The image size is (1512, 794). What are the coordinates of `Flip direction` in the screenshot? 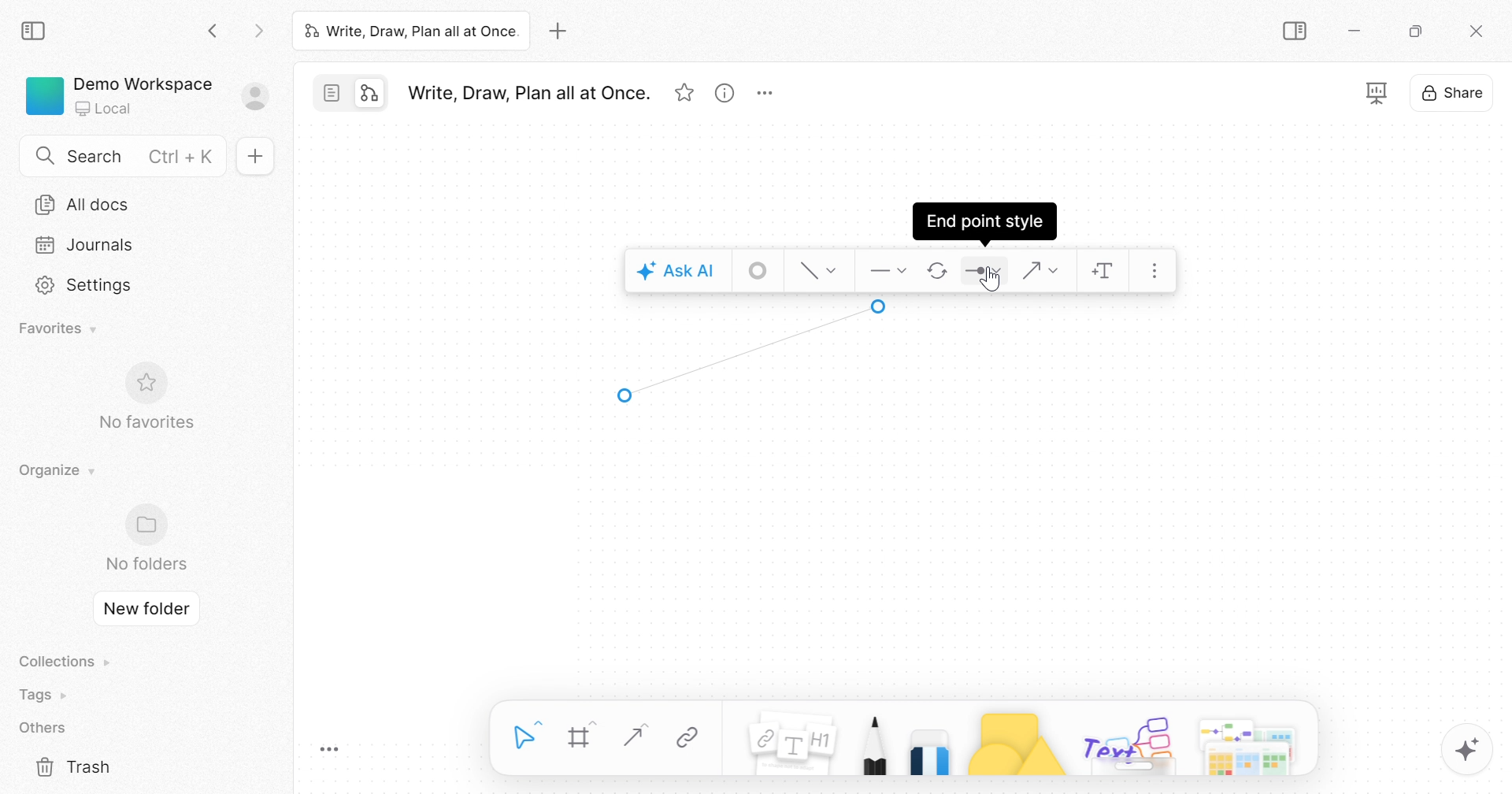 It's located at (939, 273).